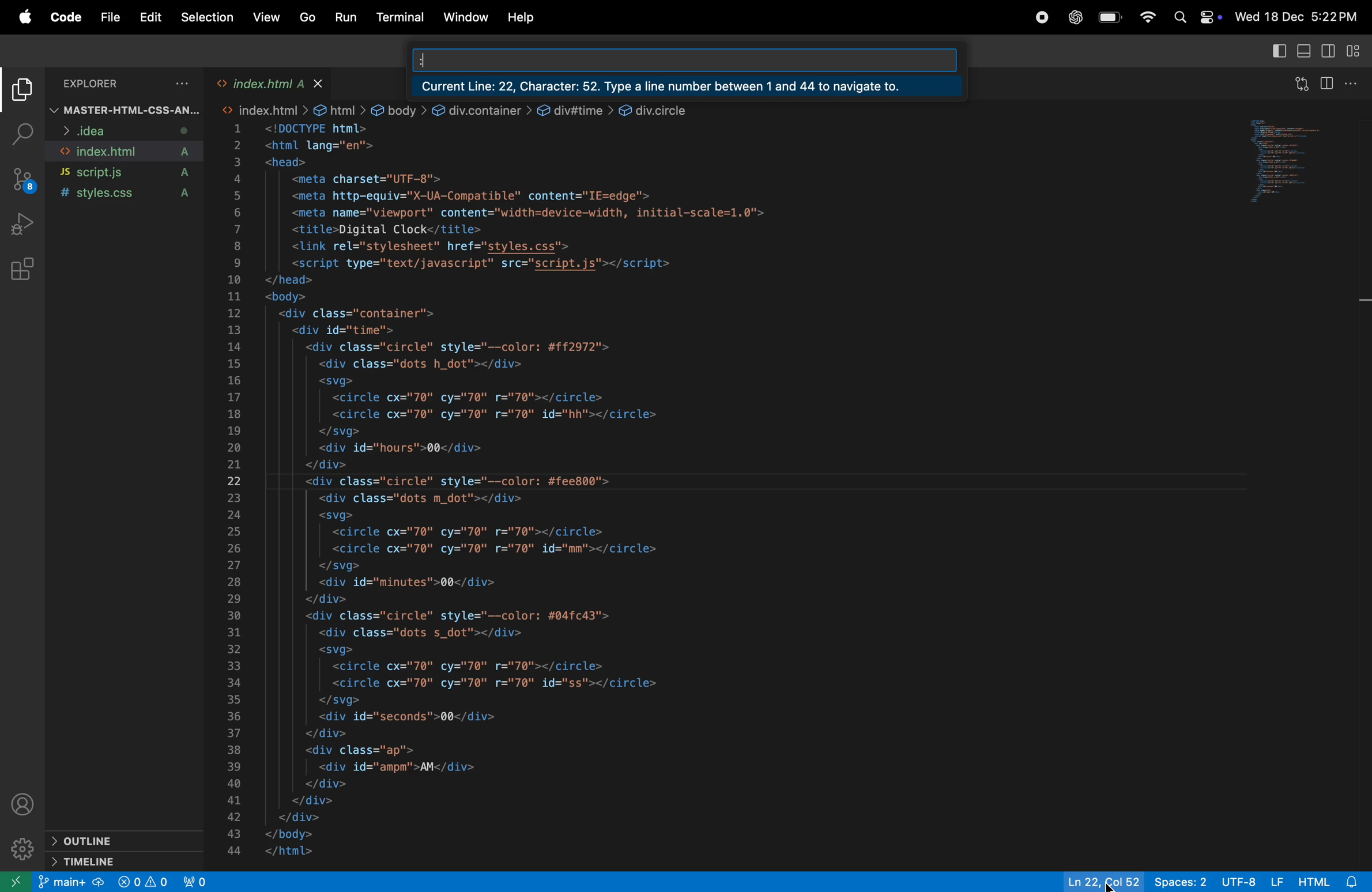 The height and width of the screenshot is (892, 1372). Describe the element at coordinates (1039, 20) in the screenshot. I see `record` at that location.